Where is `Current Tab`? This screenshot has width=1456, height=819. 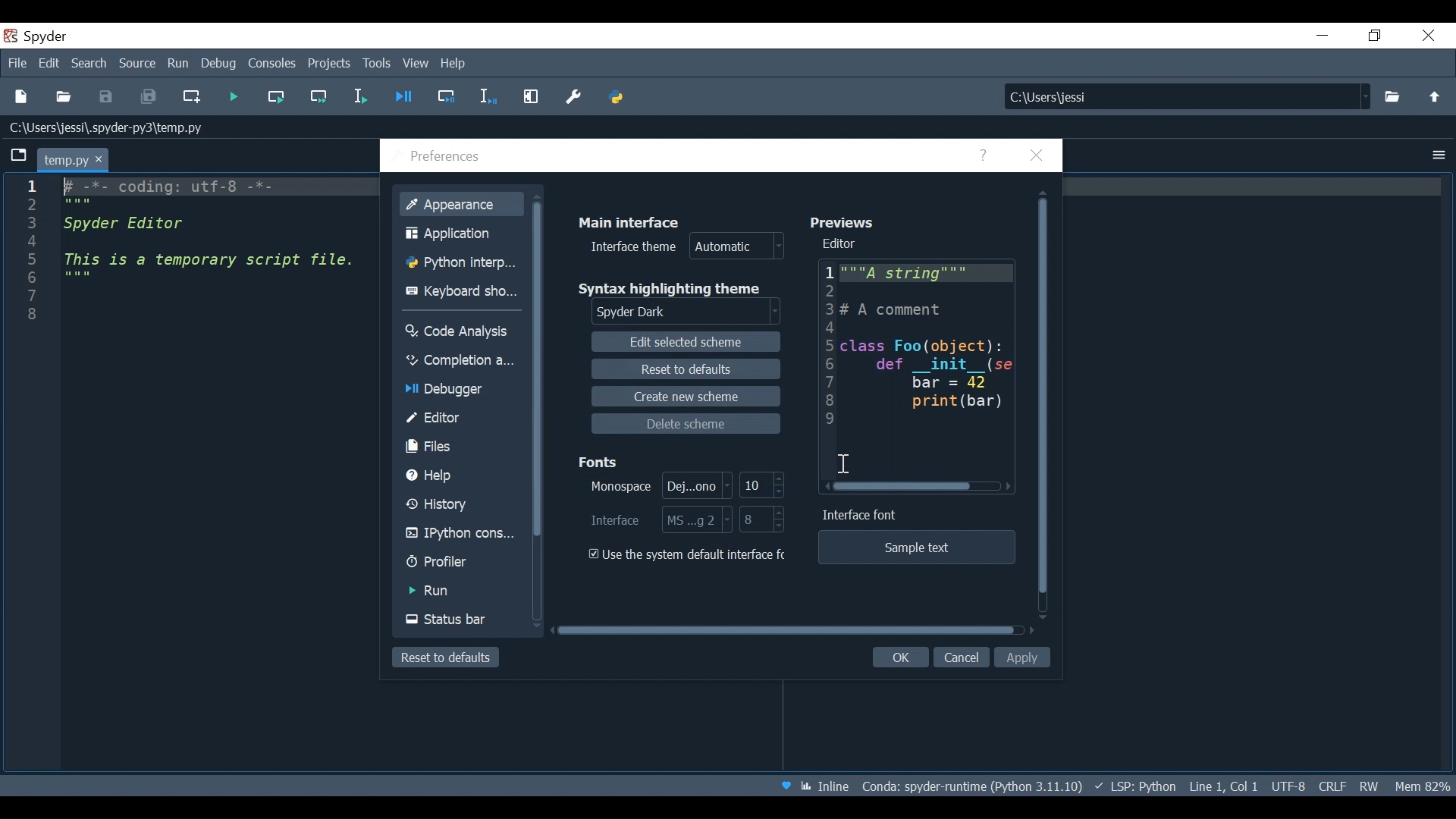 Current Tab is located at coordinates (71, 158).